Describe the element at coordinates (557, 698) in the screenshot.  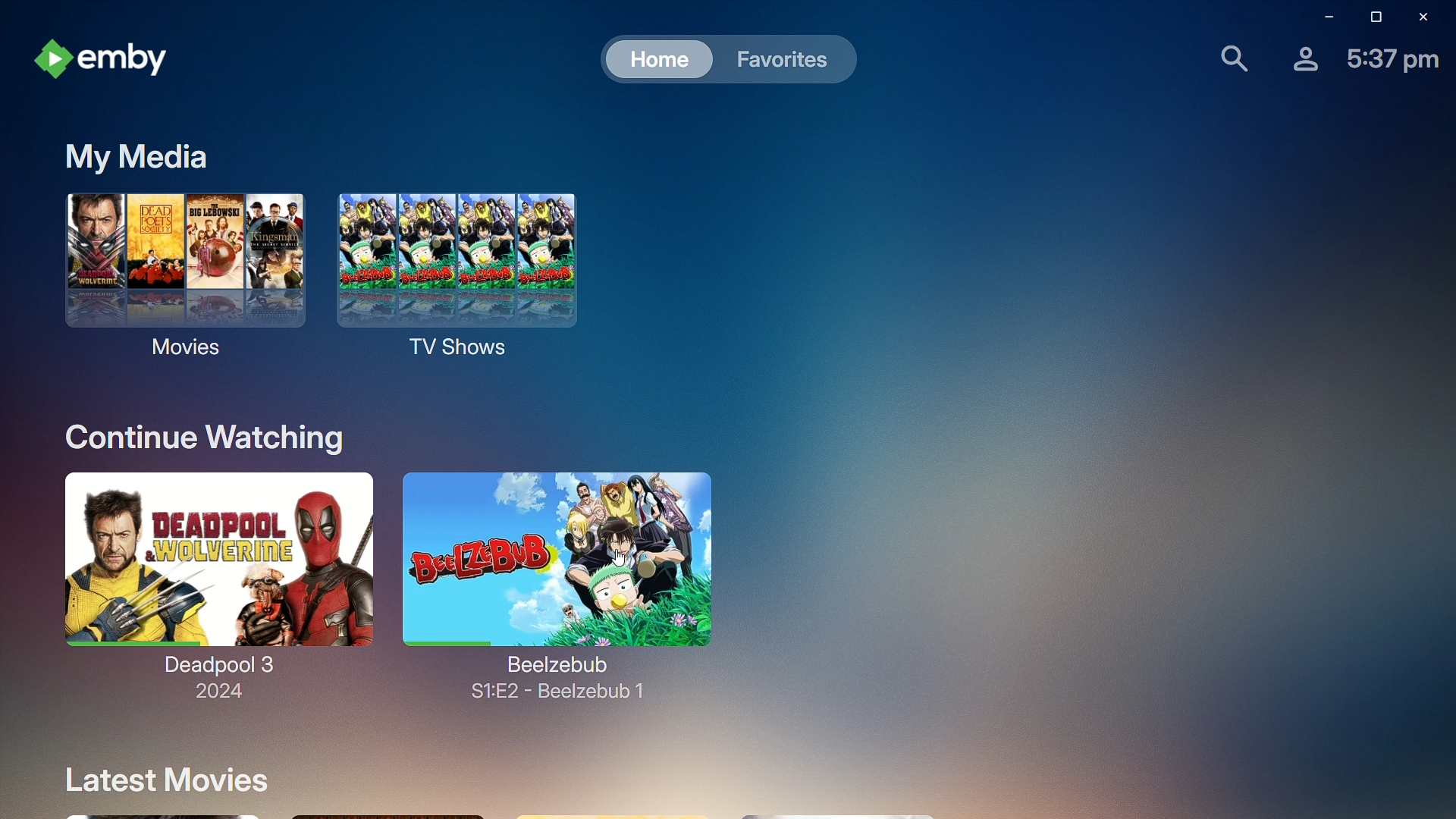
I see `S1:E2 - Beelzebub 1` at that location.